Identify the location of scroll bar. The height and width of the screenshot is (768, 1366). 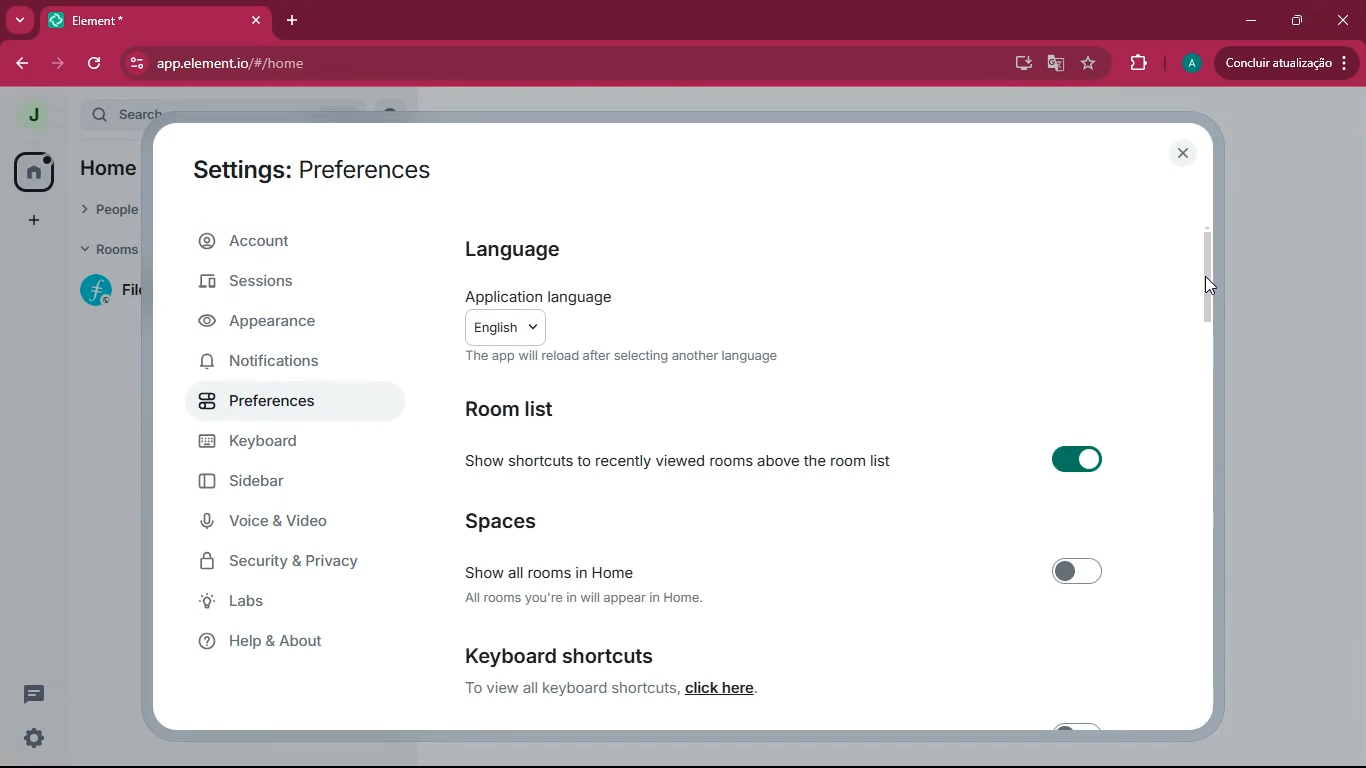
(1208, 278).